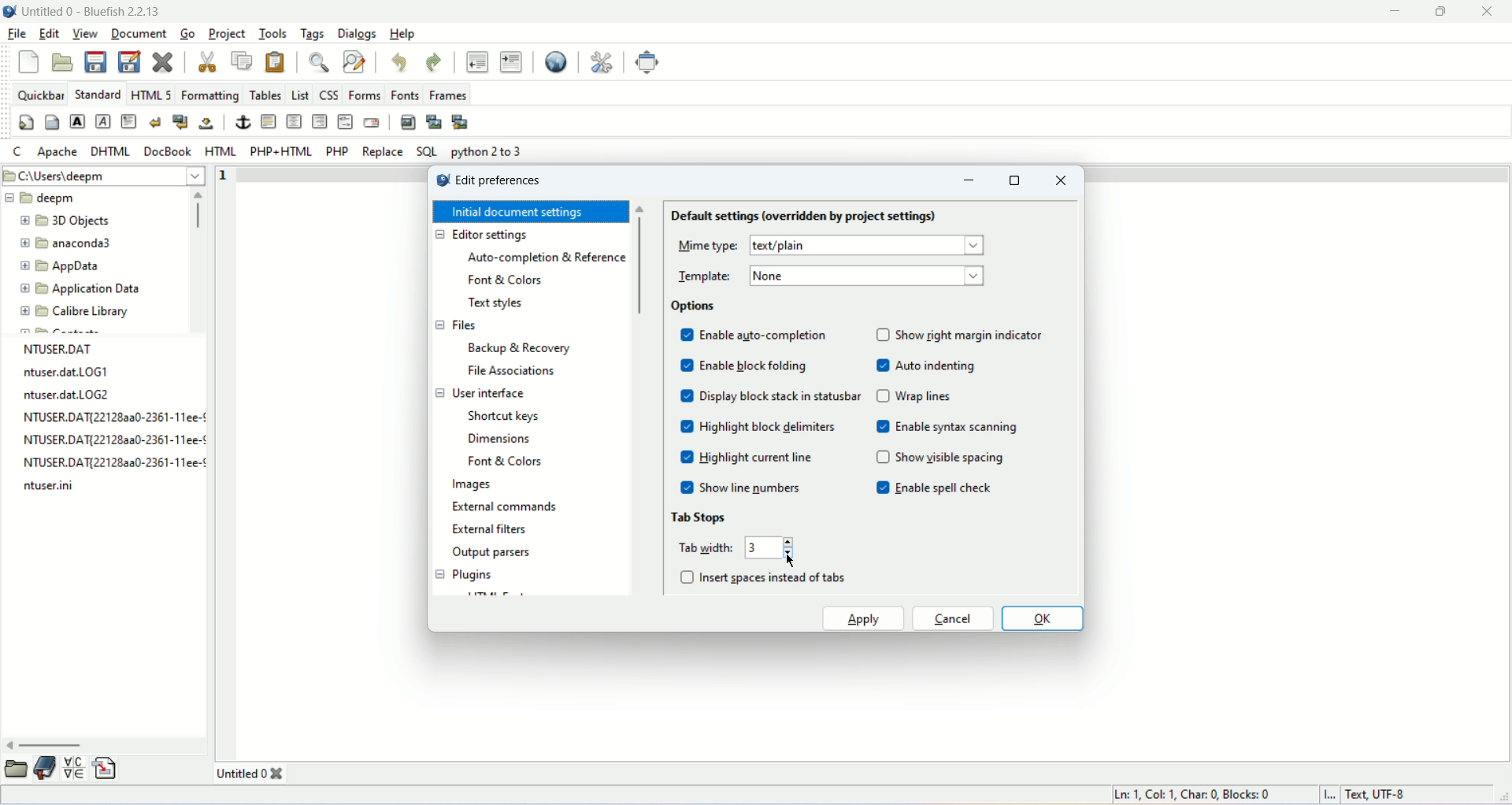 This screenshot has width=1512, height=805. What do you see at coordinates (53, 121) in the screenshot?
I see `body` at bounding box center [53, 121].